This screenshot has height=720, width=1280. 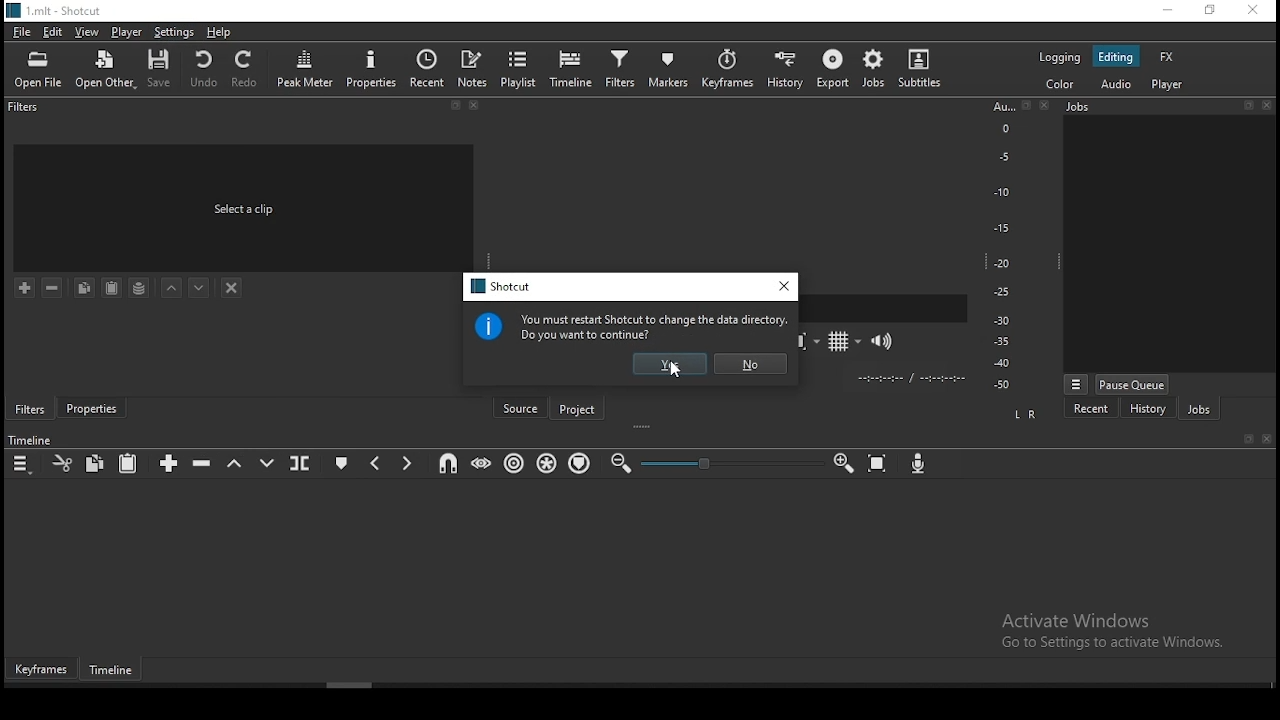 What do you see at coordinates (246, 206) in the screenshot?
I see `comments` at bounding box center [246, 206].